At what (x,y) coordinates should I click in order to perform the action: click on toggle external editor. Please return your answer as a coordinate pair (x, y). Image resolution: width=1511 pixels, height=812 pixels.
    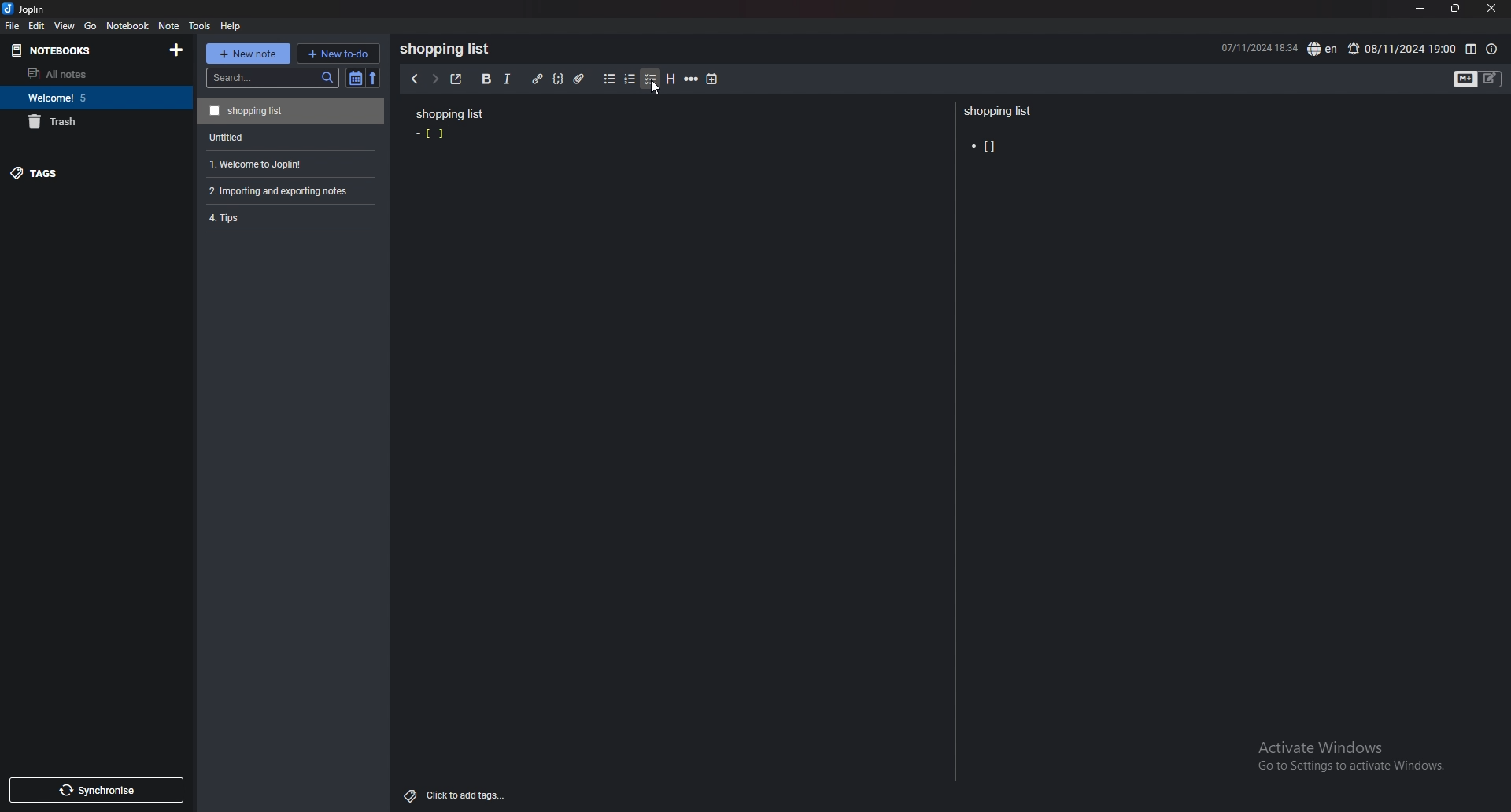
    Looking at the image, I should click on (456, 79).